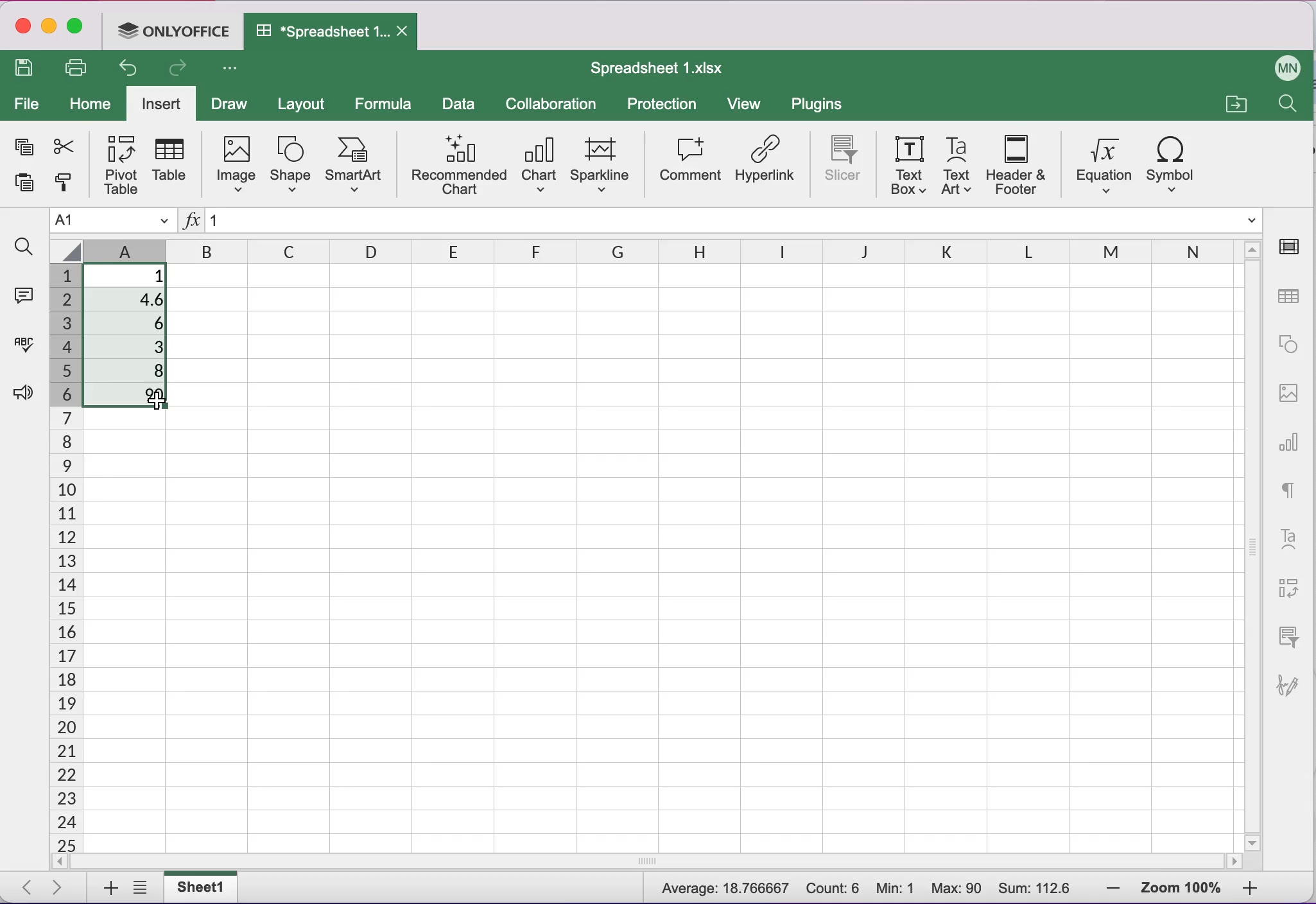  I want to click on Average: 18.766667, so click(719, 890).